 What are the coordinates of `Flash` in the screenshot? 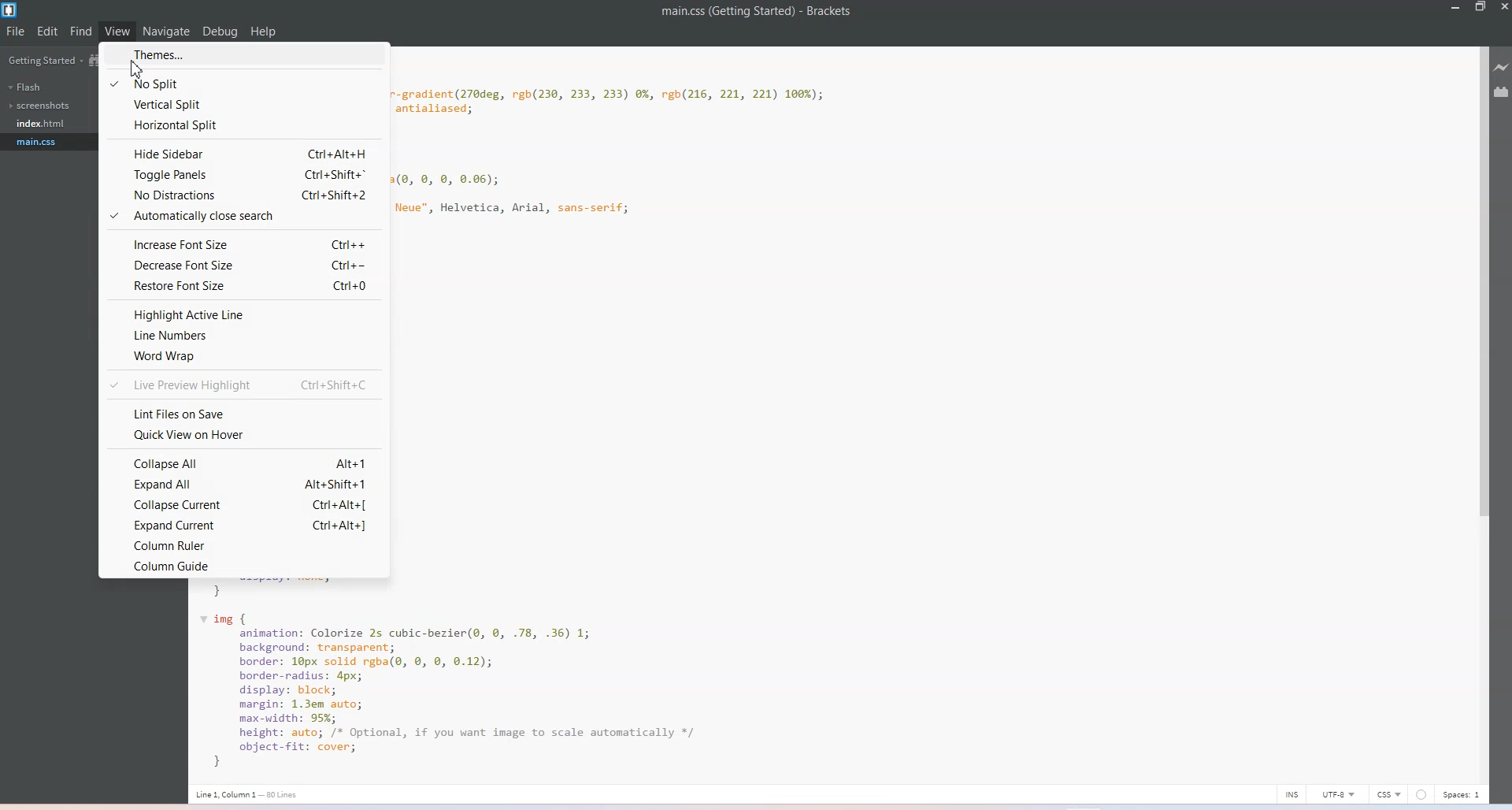 It's located at (25, 87).